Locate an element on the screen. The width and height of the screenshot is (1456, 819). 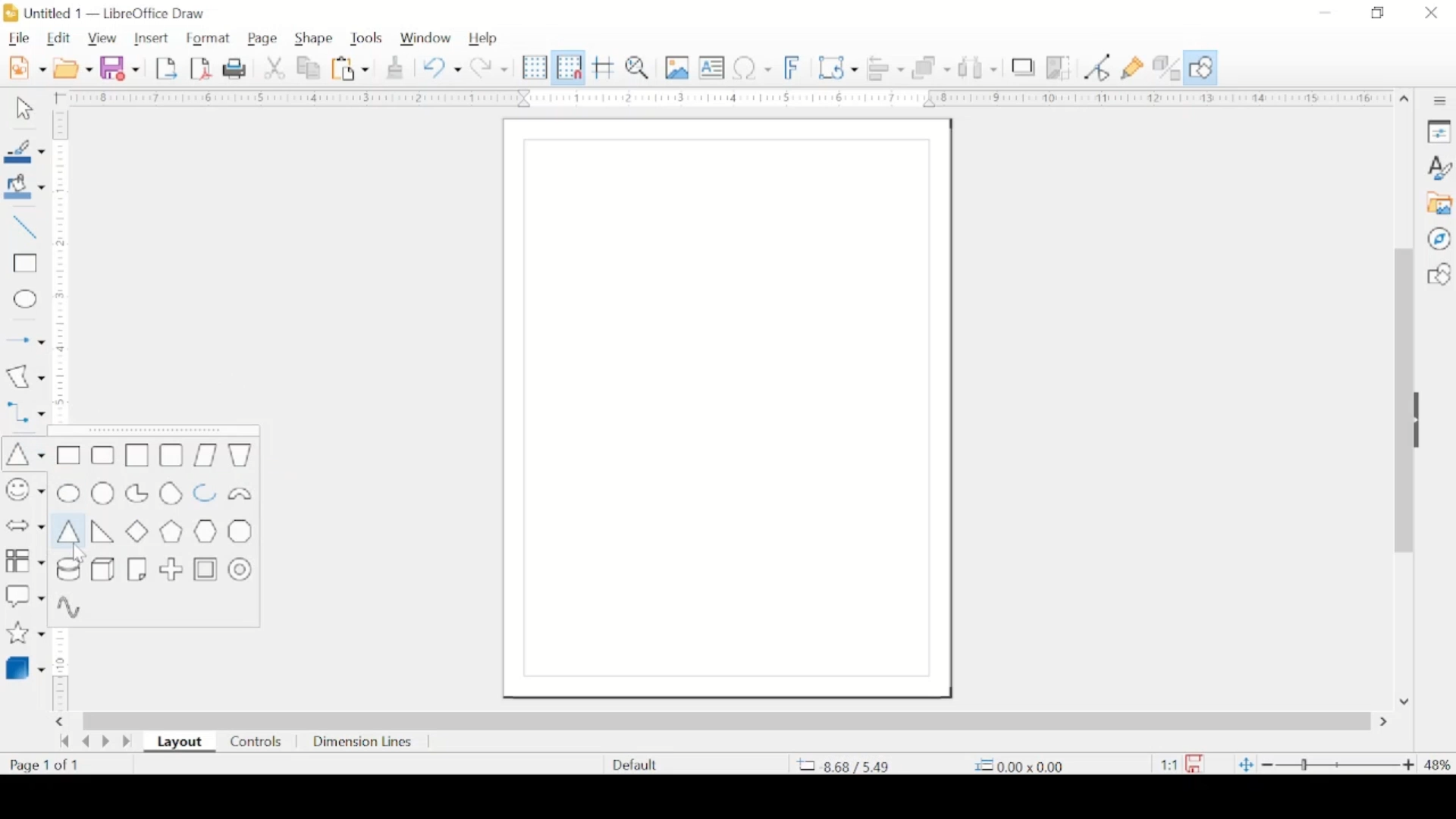
hexagon is located at coordinates (206, 531).